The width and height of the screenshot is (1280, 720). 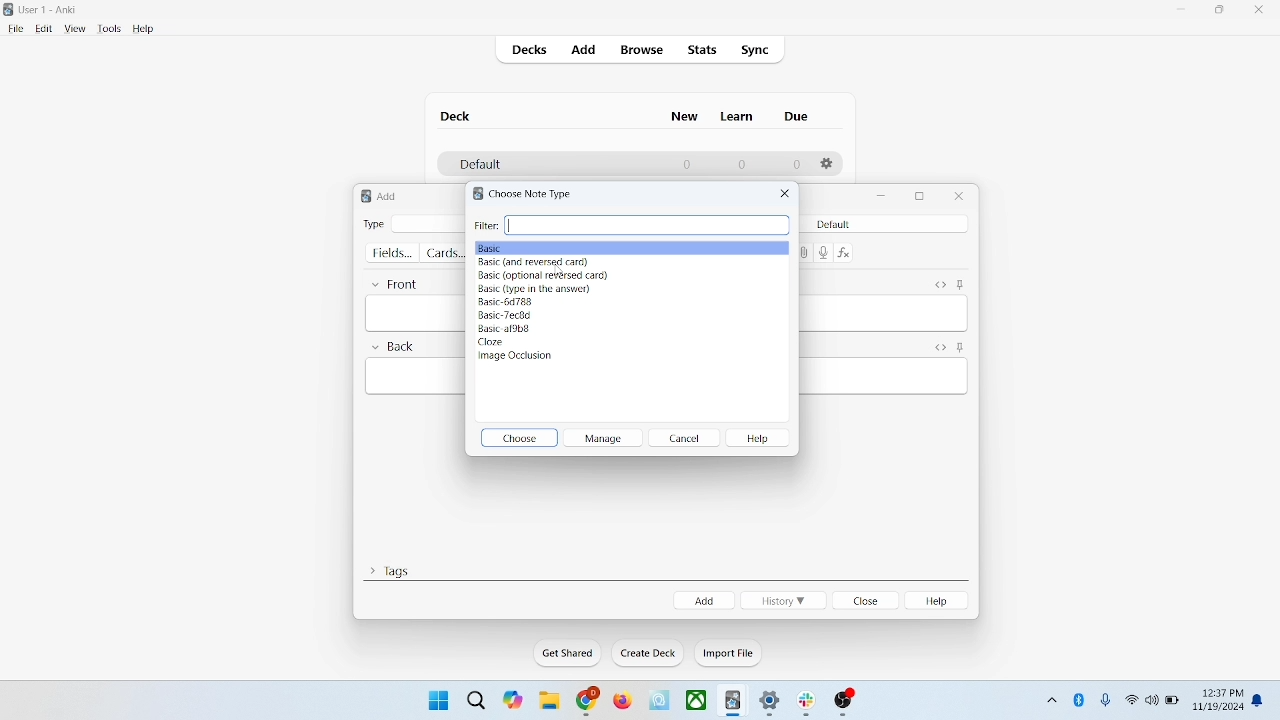 I want to click on help, so click(x=763, y=440).